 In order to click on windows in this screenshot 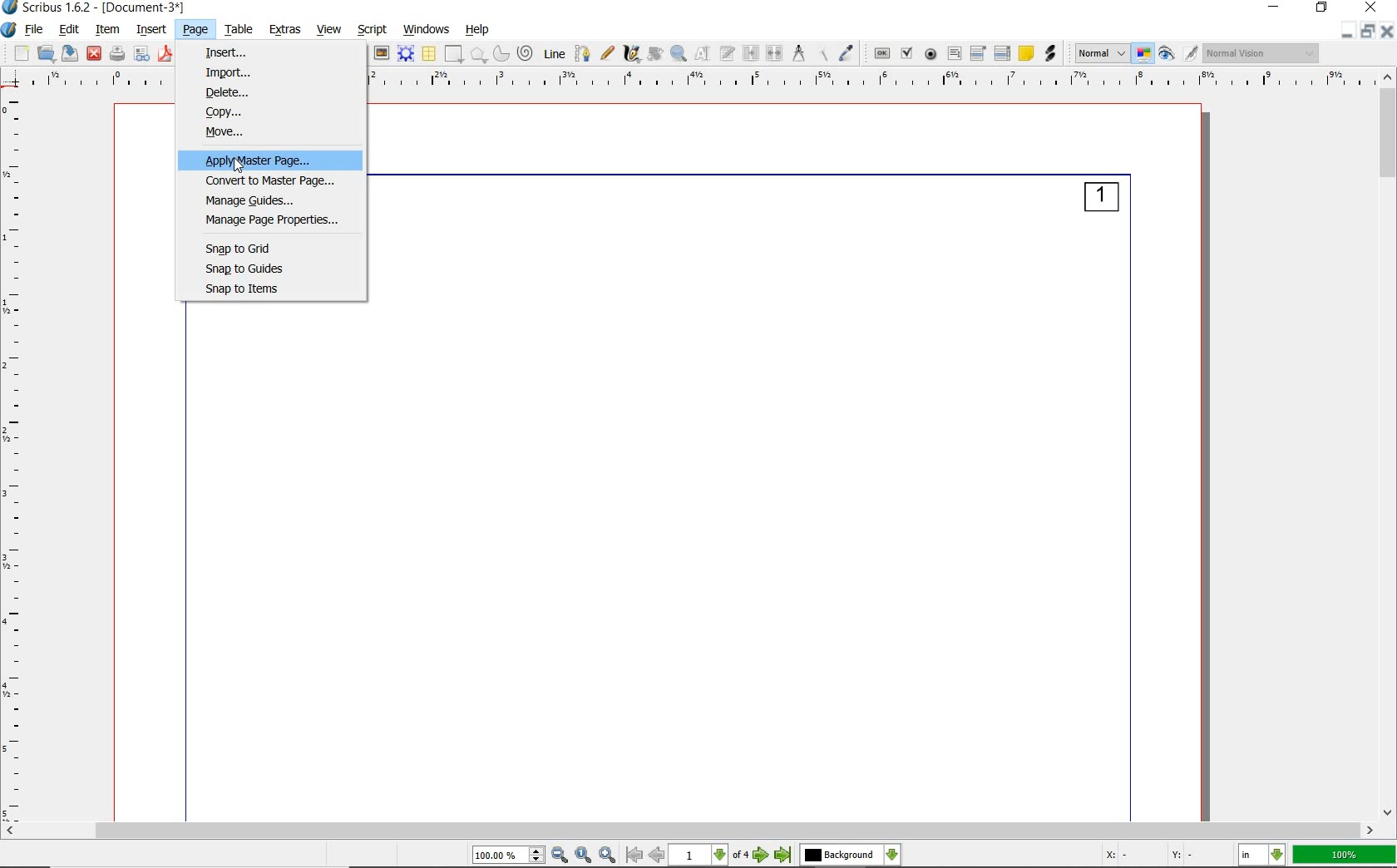, I will do `click(427, 31)`.